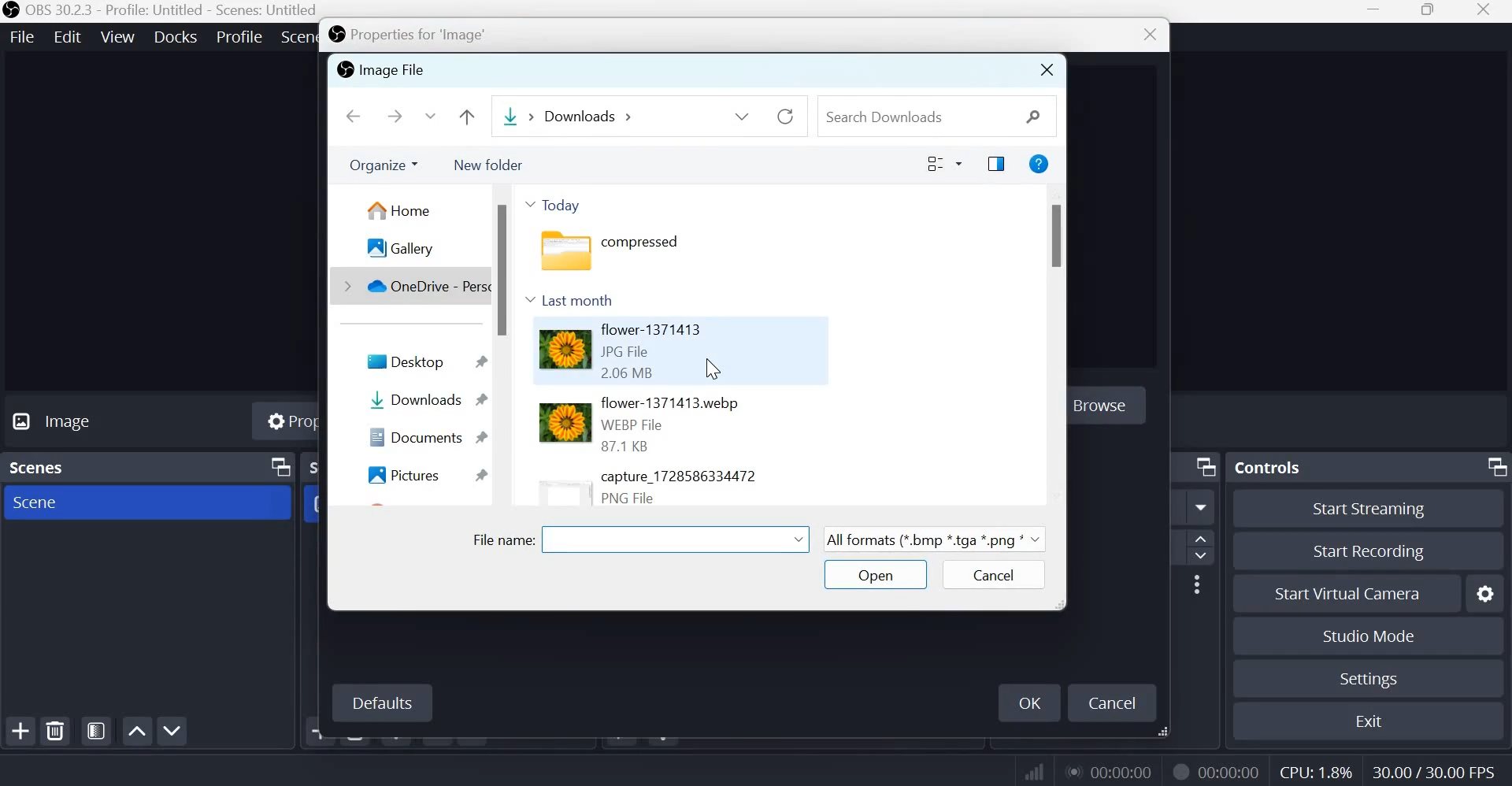 This screenshot has width=1512, height=786. I want to click on More Options , so click(1196, 584).